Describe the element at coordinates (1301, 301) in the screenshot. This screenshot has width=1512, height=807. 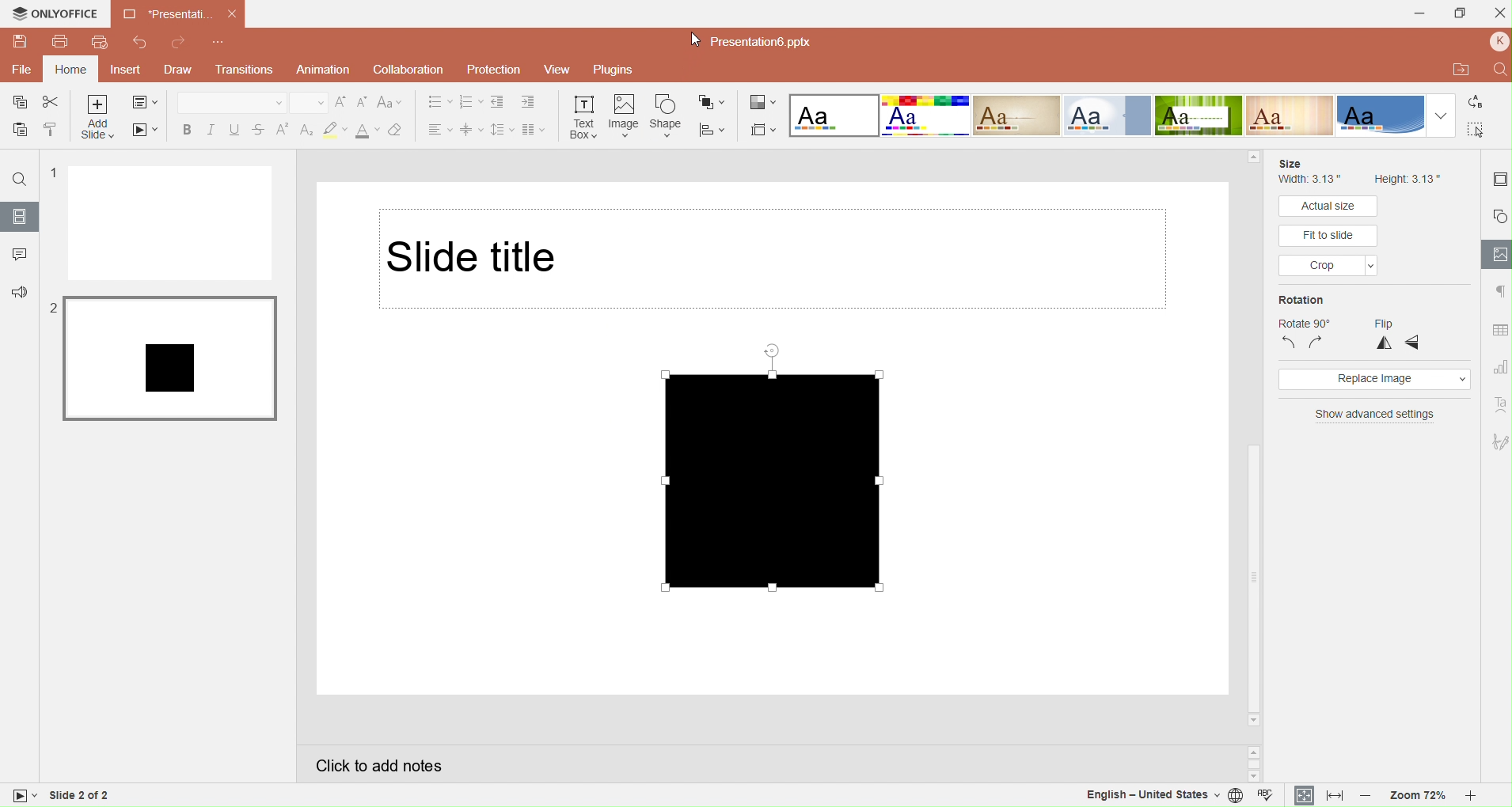
I see `rotation` at that location.